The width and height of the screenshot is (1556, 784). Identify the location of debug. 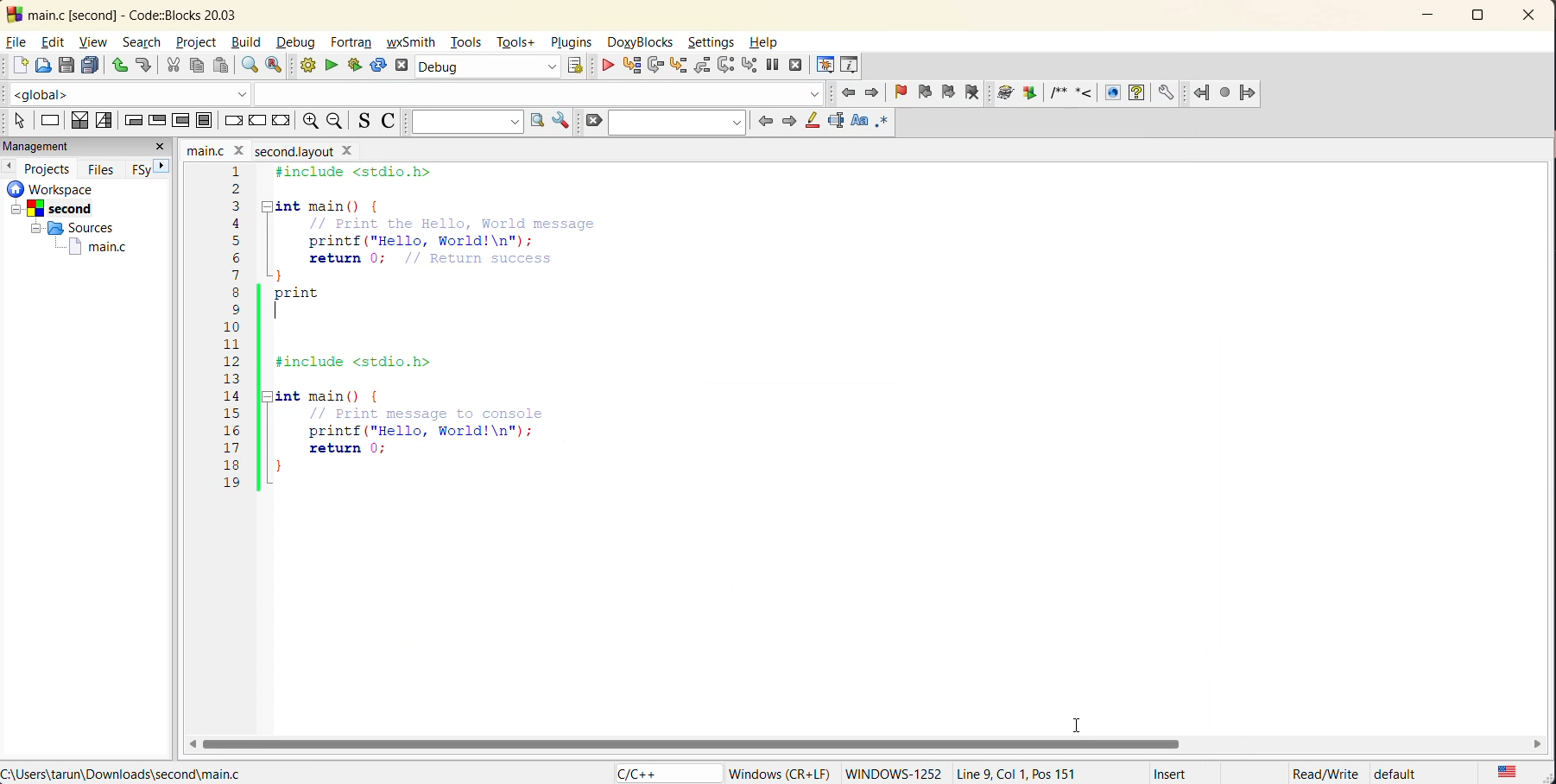
(607, 66).